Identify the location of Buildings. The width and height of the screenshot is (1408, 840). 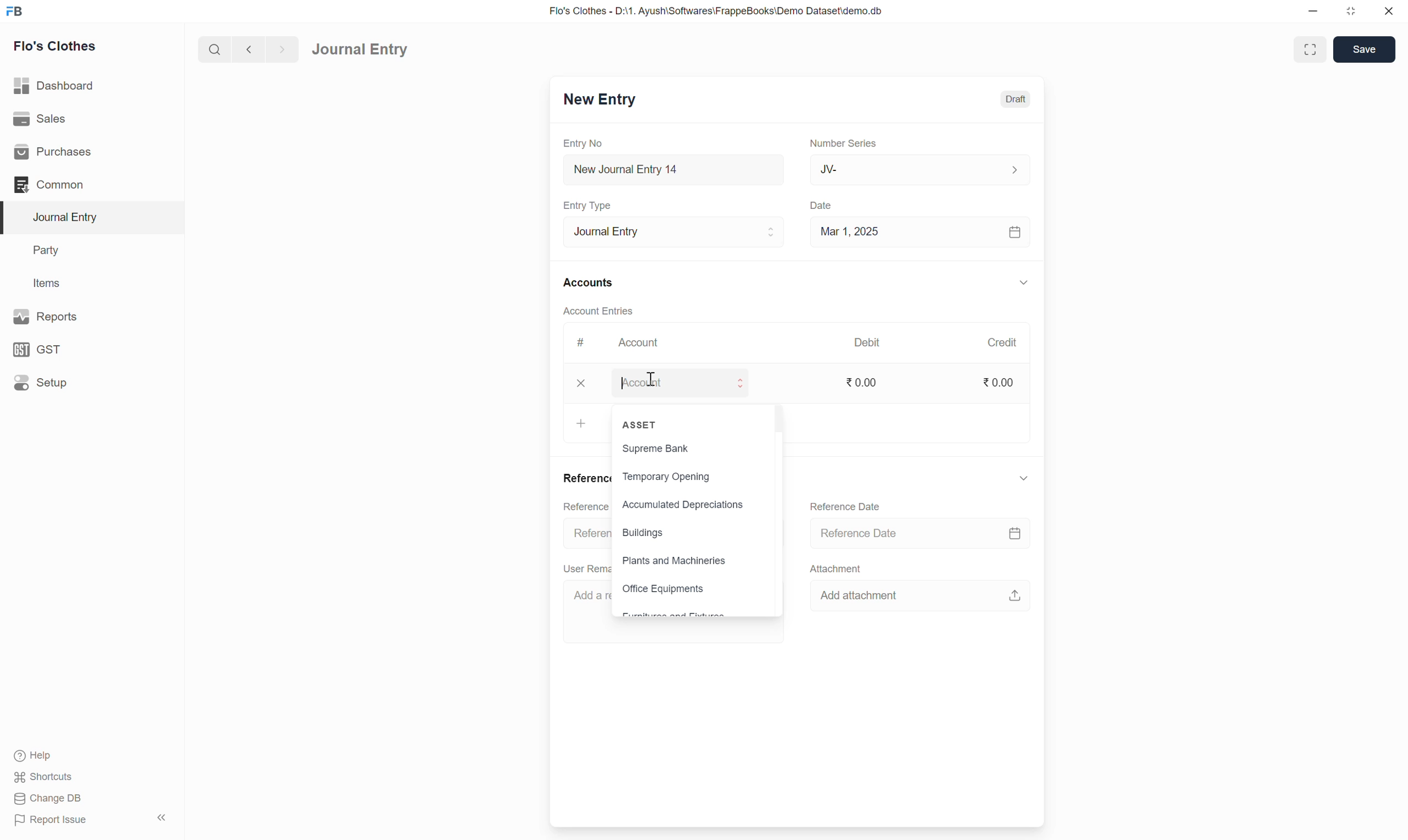
(645, 532).